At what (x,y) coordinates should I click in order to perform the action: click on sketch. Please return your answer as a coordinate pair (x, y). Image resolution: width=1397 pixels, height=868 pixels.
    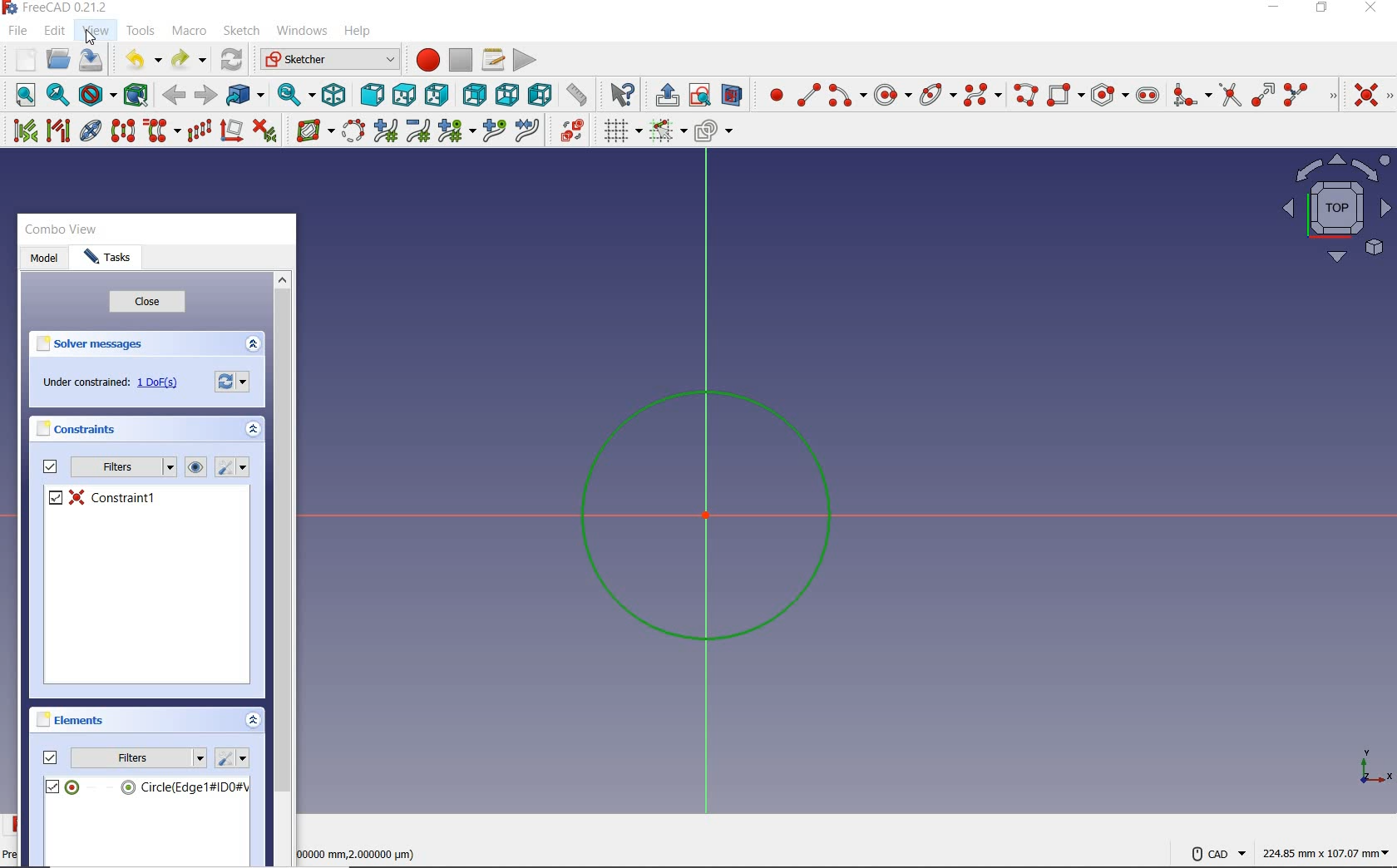
    Looking at the image, I should click on (243, 31).